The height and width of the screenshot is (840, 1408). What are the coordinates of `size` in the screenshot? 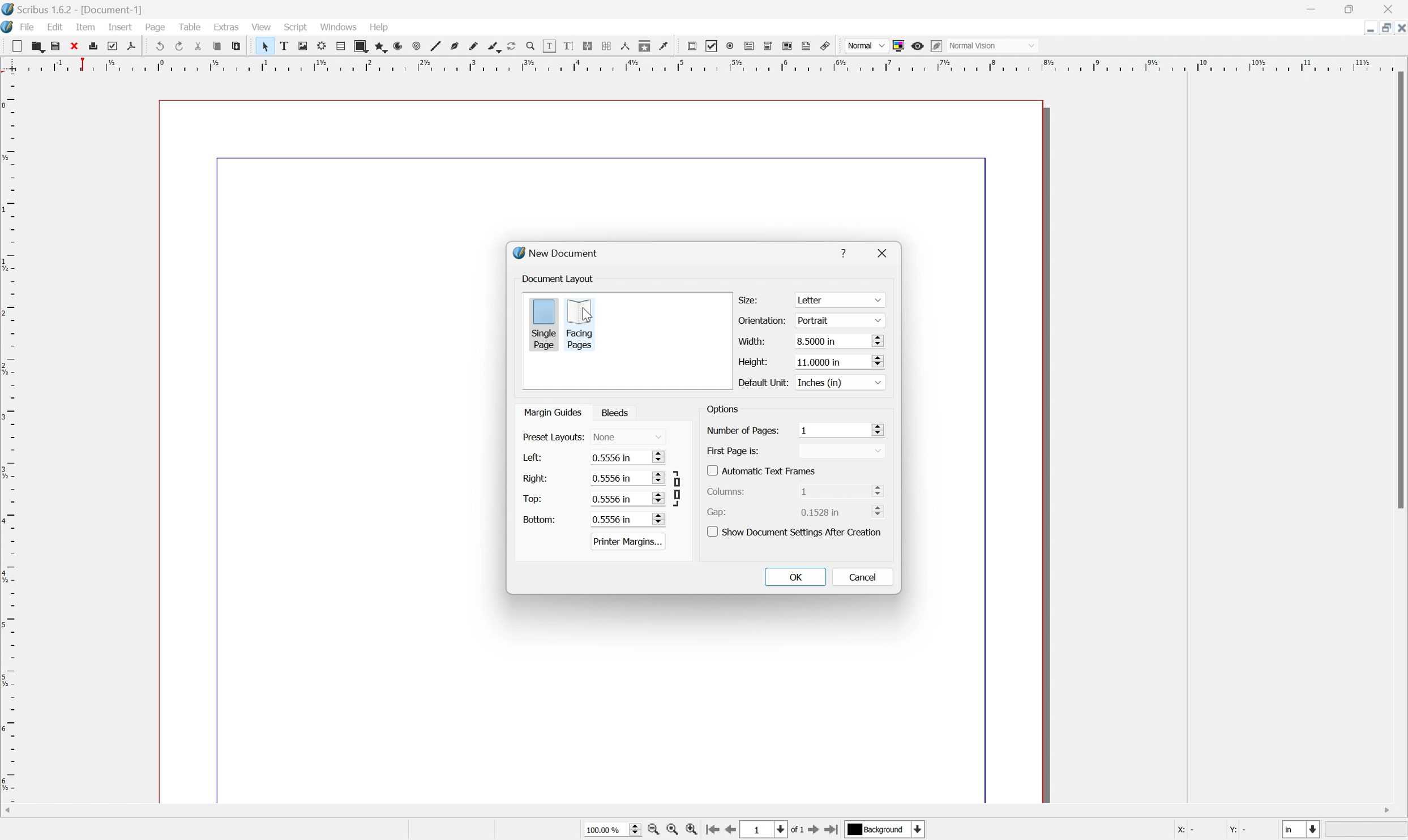 It's located at (751, 299).